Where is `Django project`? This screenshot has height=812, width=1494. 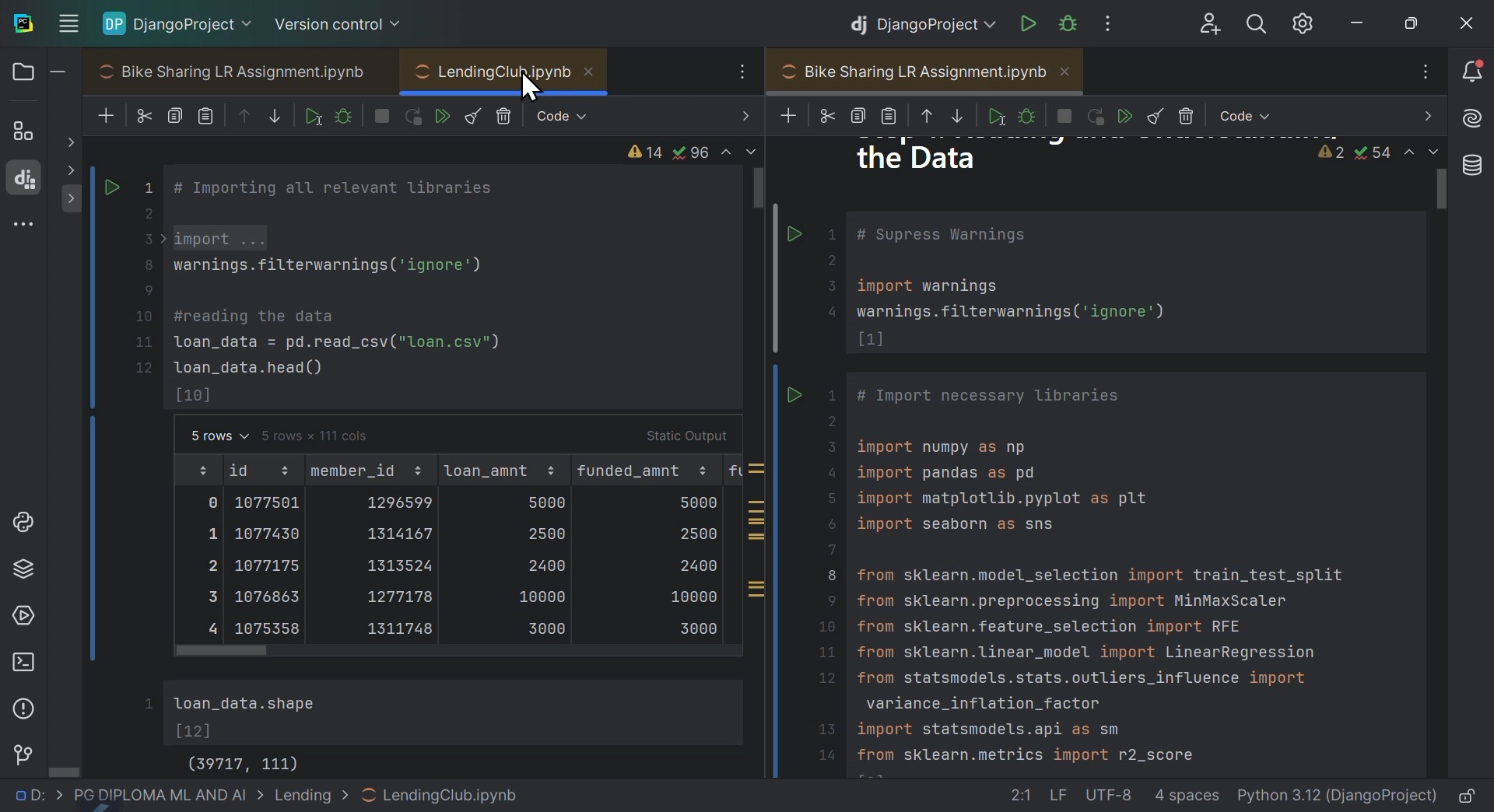
Django project is located at coordinates (921, 20).